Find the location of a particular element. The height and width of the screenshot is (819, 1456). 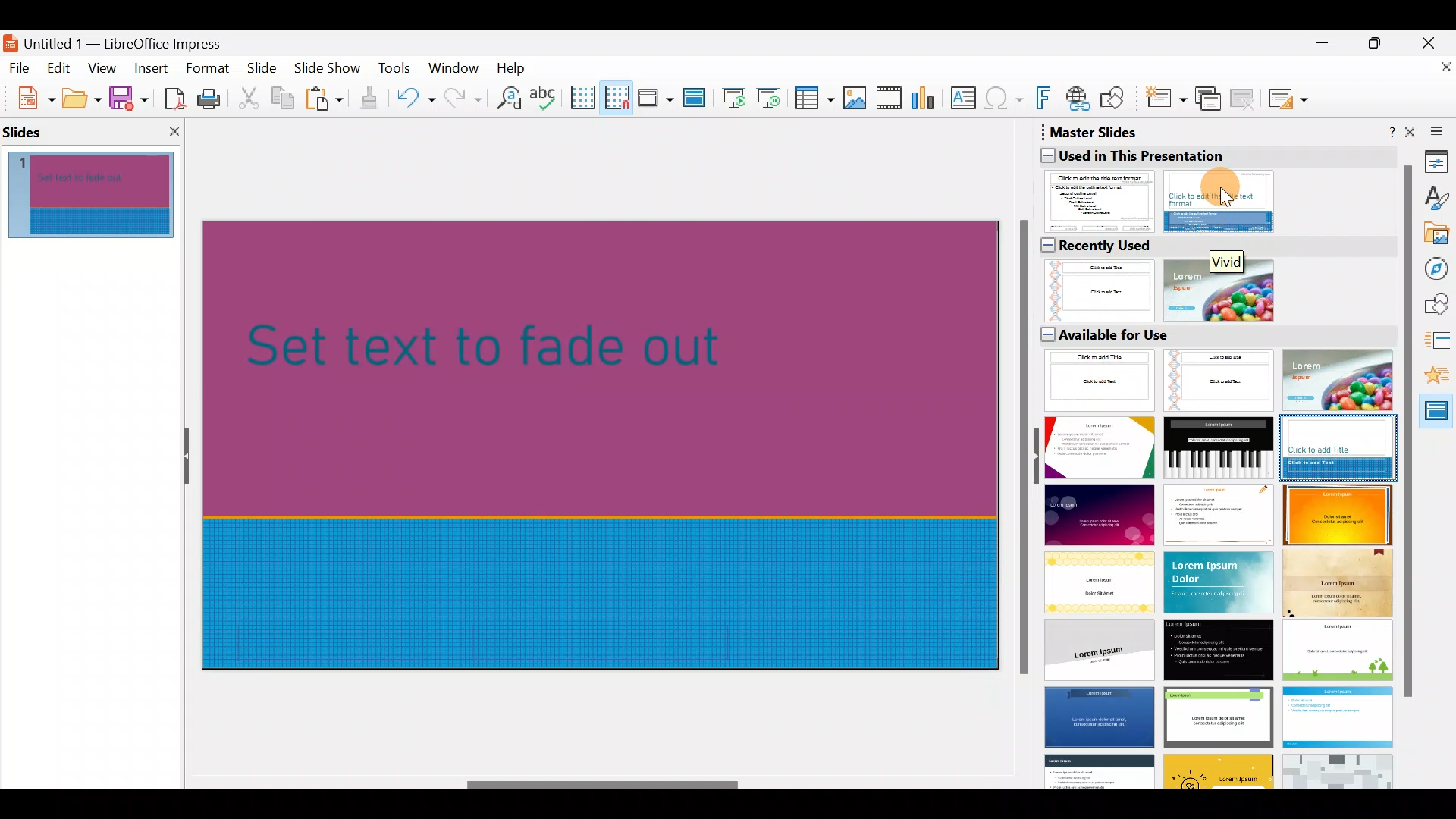

Redo is located at coordinates (461, 98).